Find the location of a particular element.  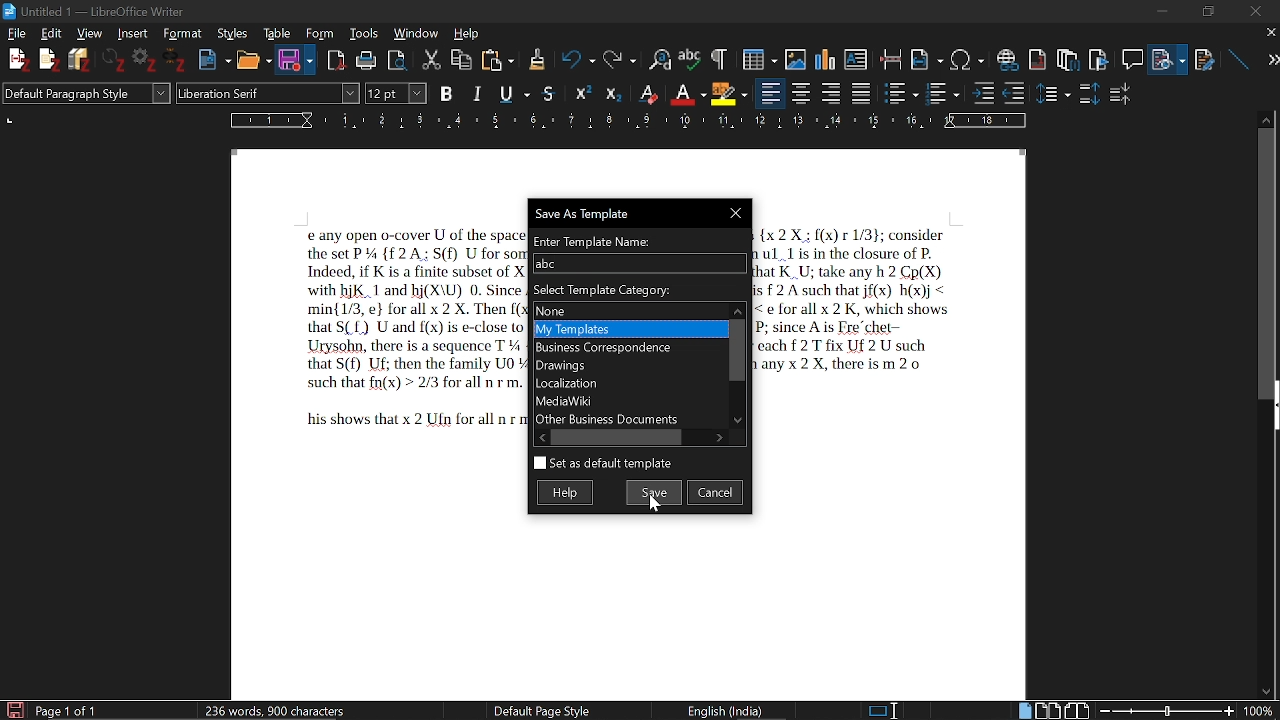

standard selection is located at coordinates (884, 710).